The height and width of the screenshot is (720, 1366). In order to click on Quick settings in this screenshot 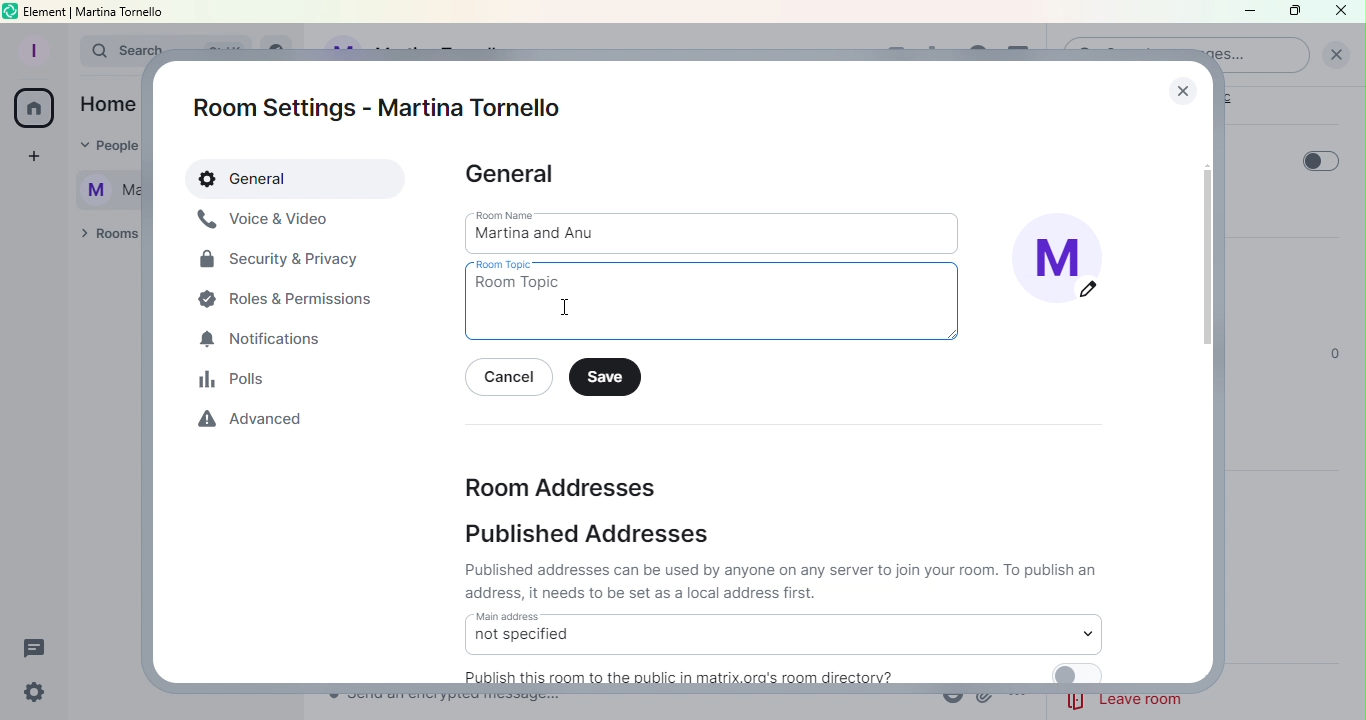, I will do `click(31, 694)`.